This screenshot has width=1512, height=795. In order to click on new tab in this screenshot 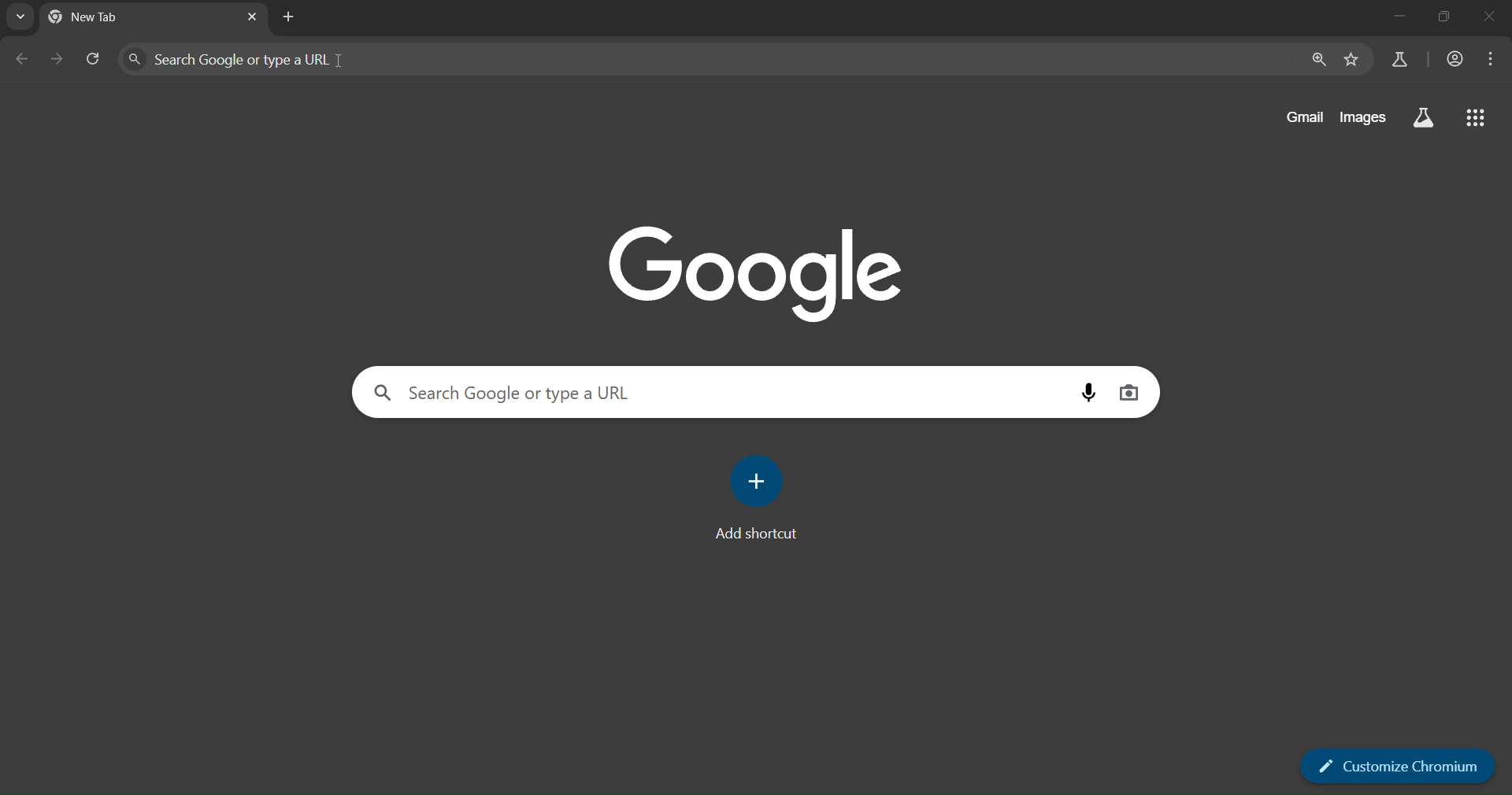, I will do `click(254, 17)`.